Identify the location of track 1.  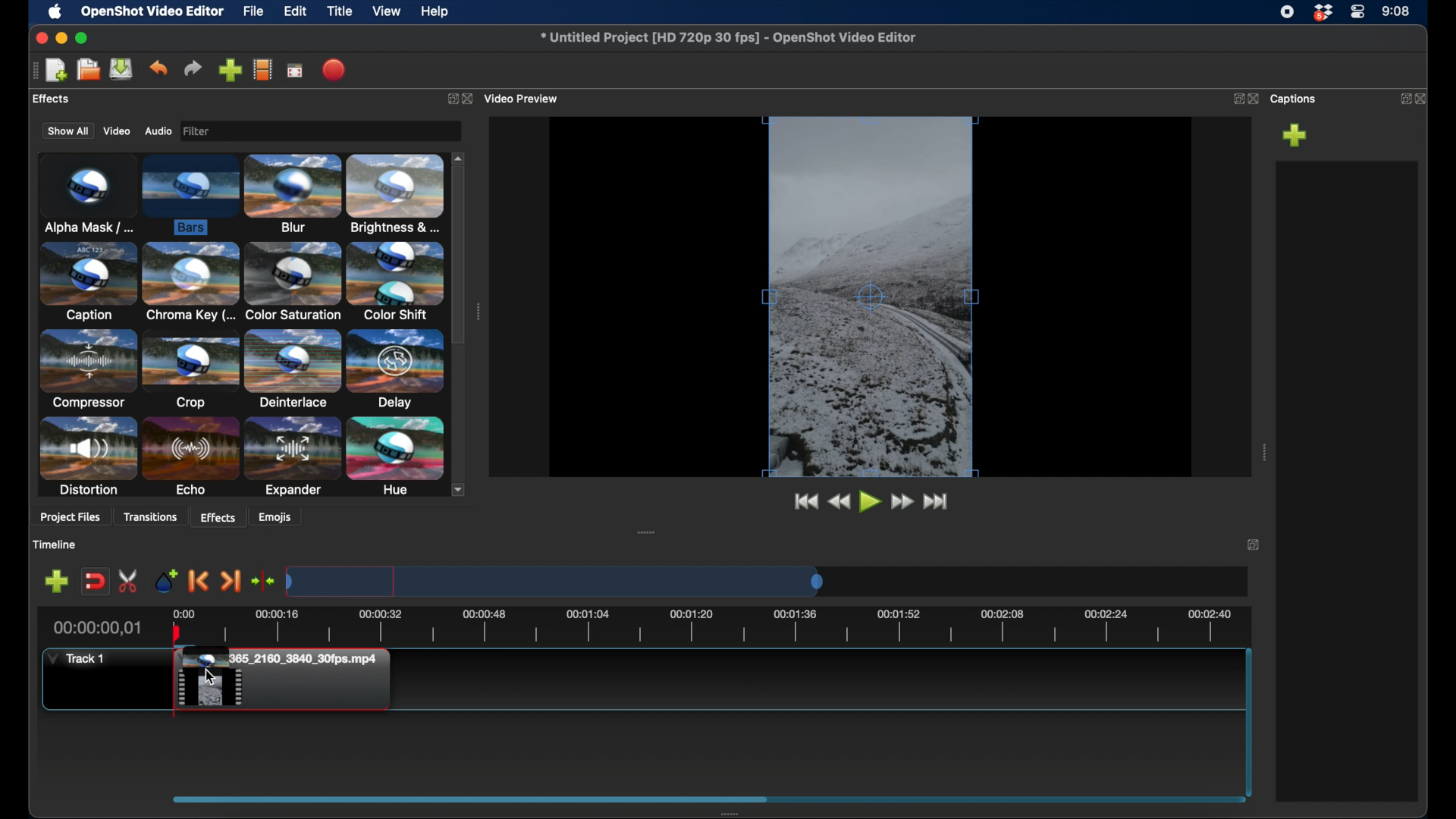
(76, 657).